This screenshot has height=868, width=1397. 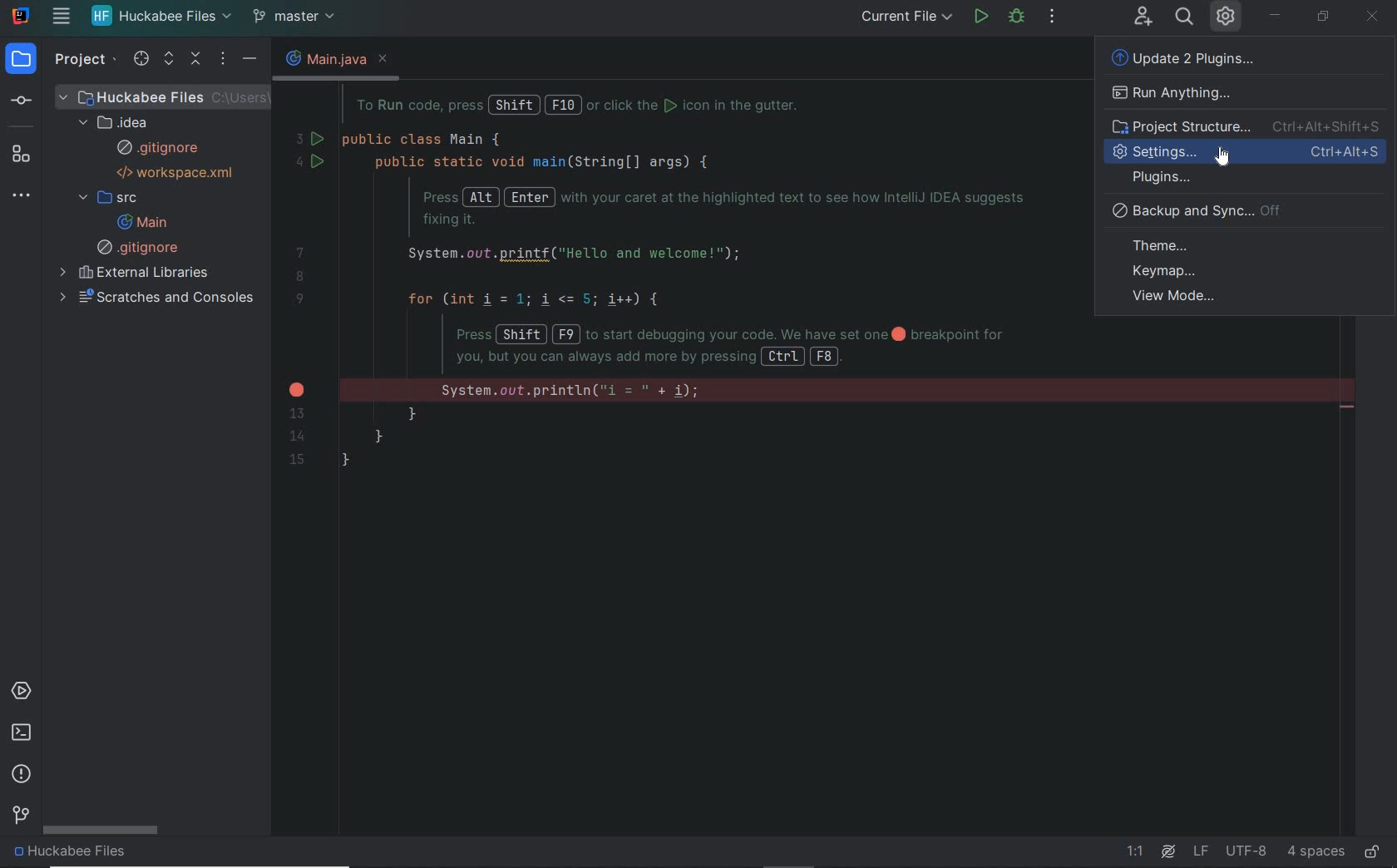 What do you see at coordinates (178, 172) in the screenshot?
I see `workspace.xml` at bounding box center [178, 172].